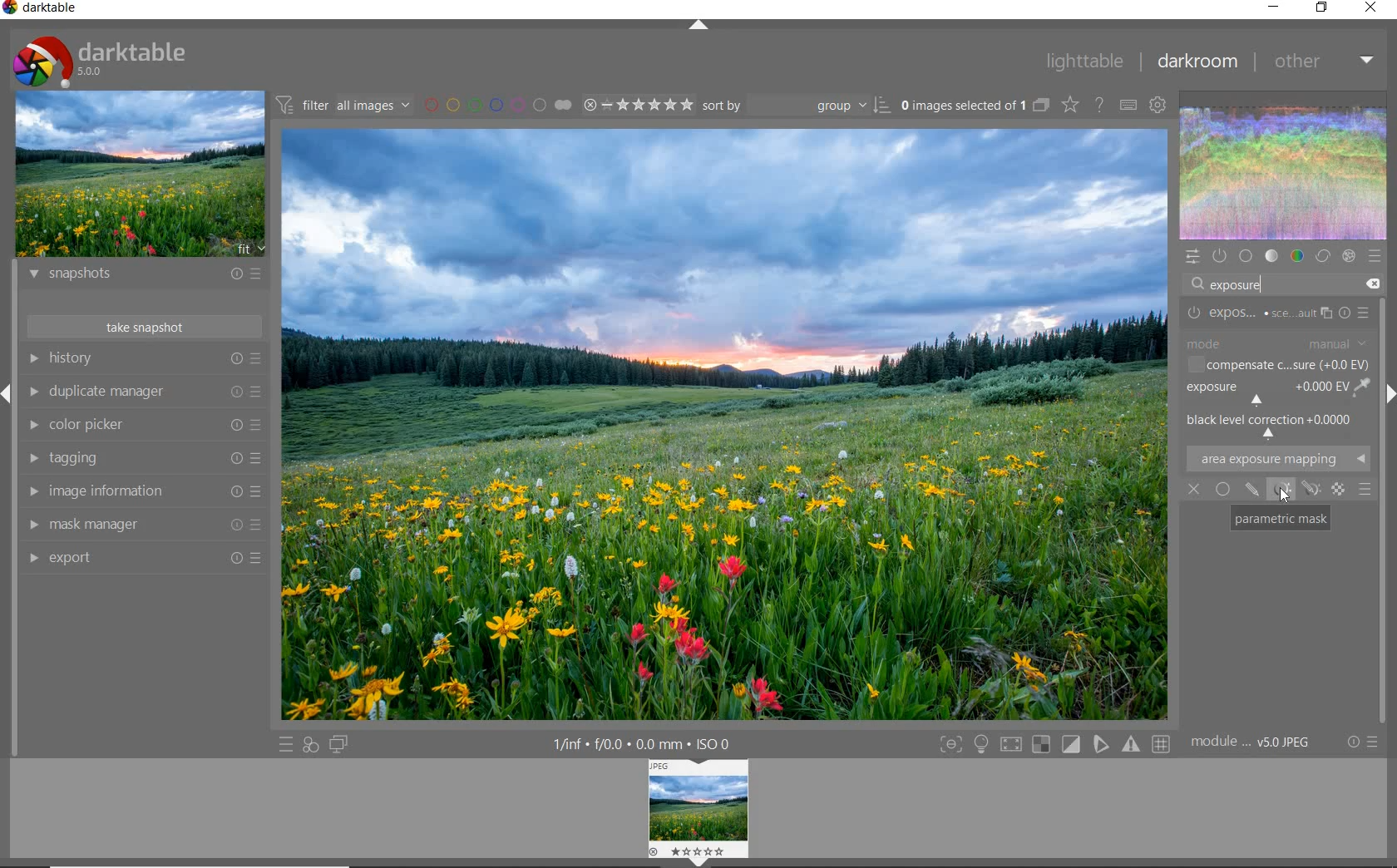 This screenshot has width=1397, height=868. Describe the element at coordinates (1196, 488) in the screenshot. I see `OFF` at that location.